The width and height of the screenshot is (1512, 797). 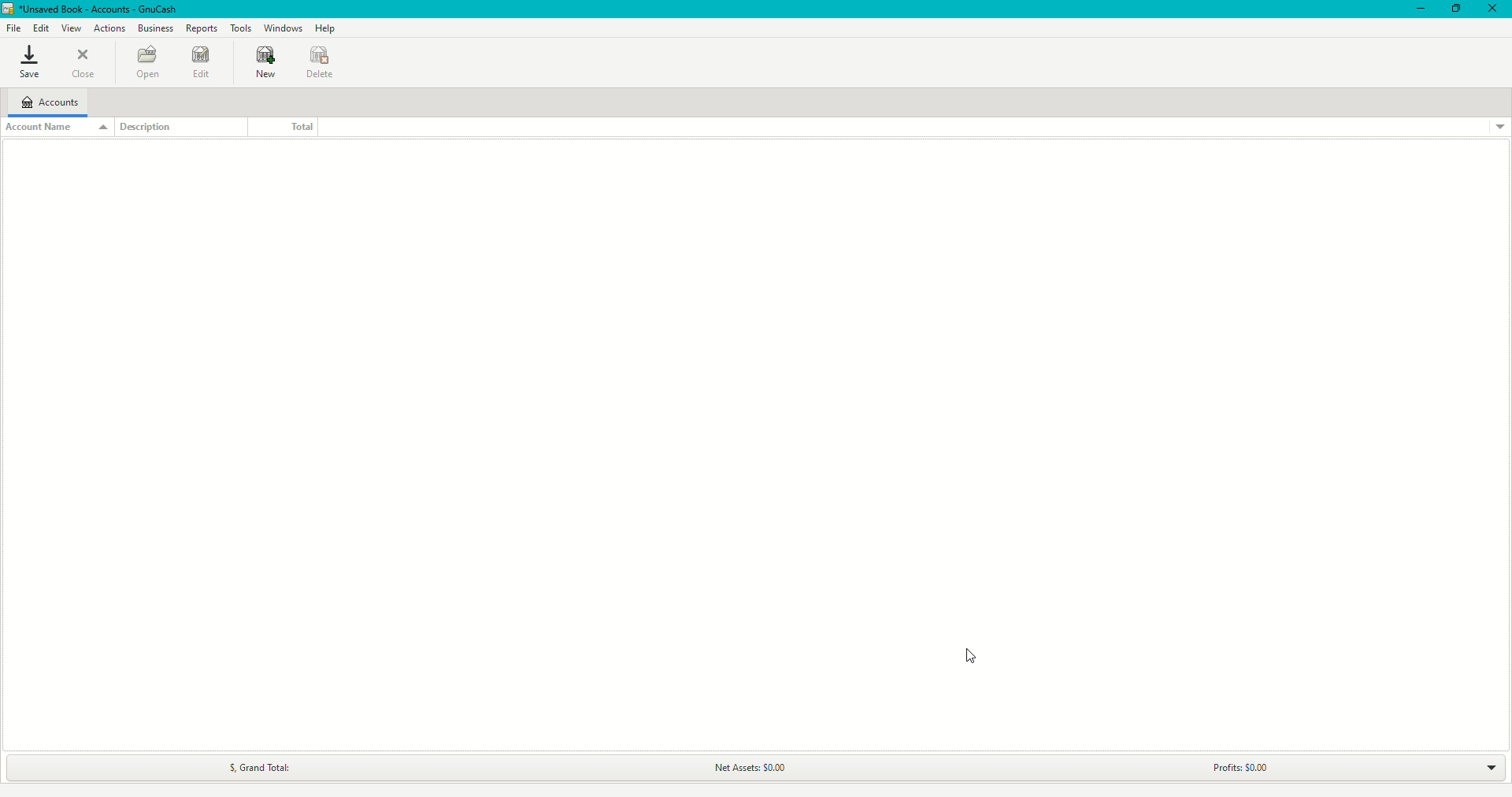 What do you see at coordinates (90, 9) in the screenshot?
I see `GnuCash` at bounding box center [90, 9].